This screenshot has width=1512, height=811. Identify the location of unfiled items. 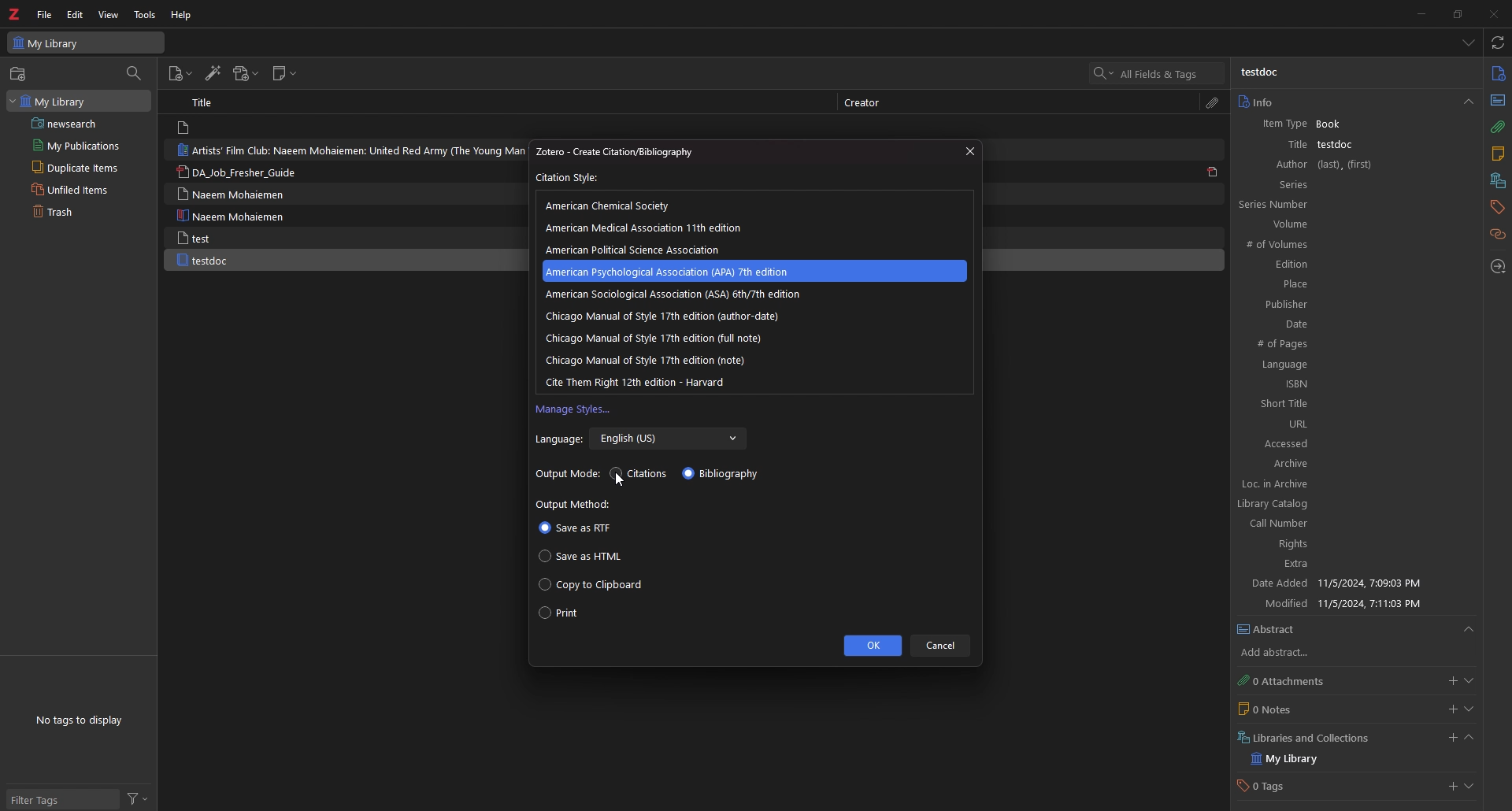
(74, 189).